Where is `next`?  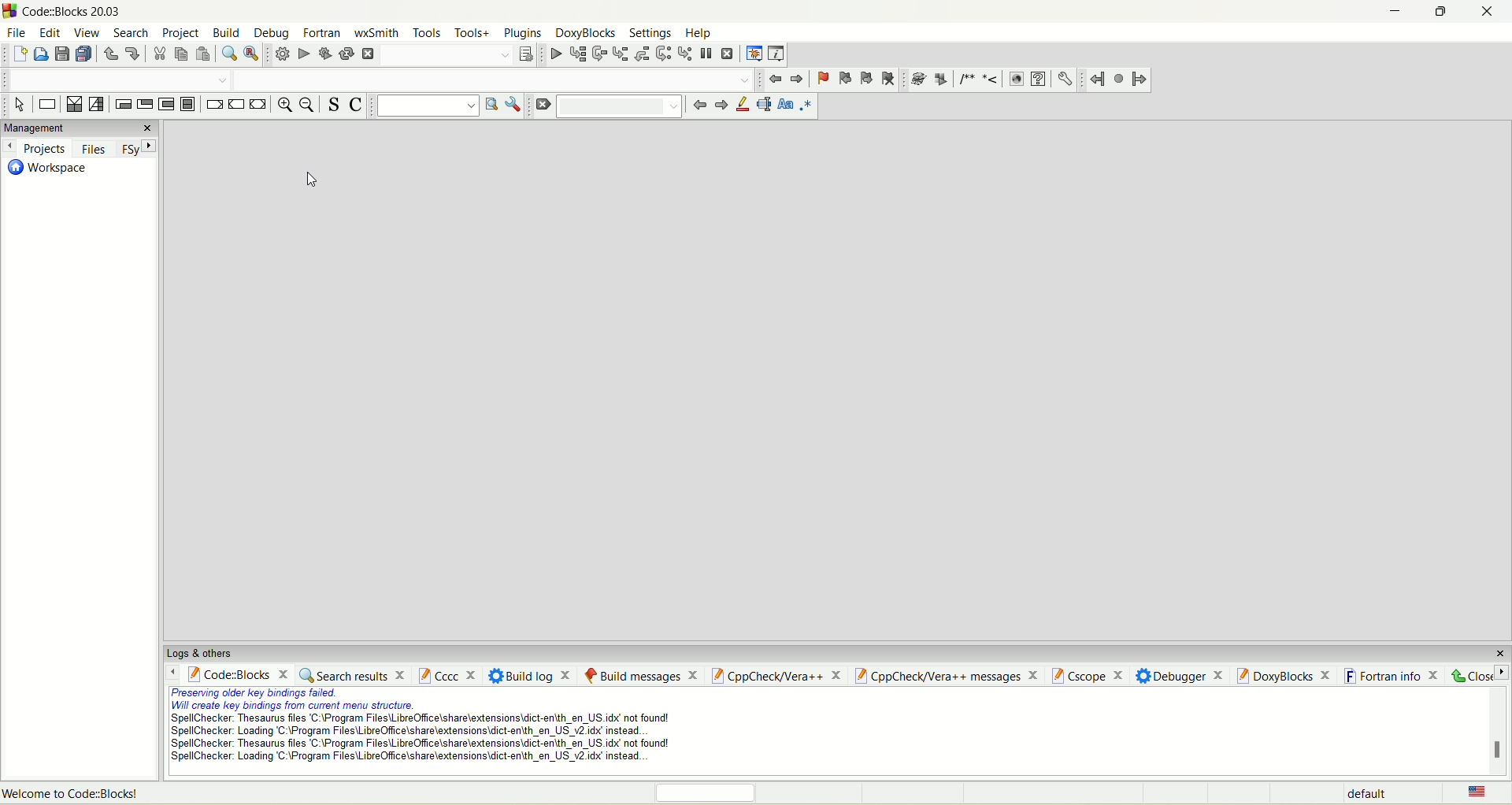
next is located at coordinates (719, 106).